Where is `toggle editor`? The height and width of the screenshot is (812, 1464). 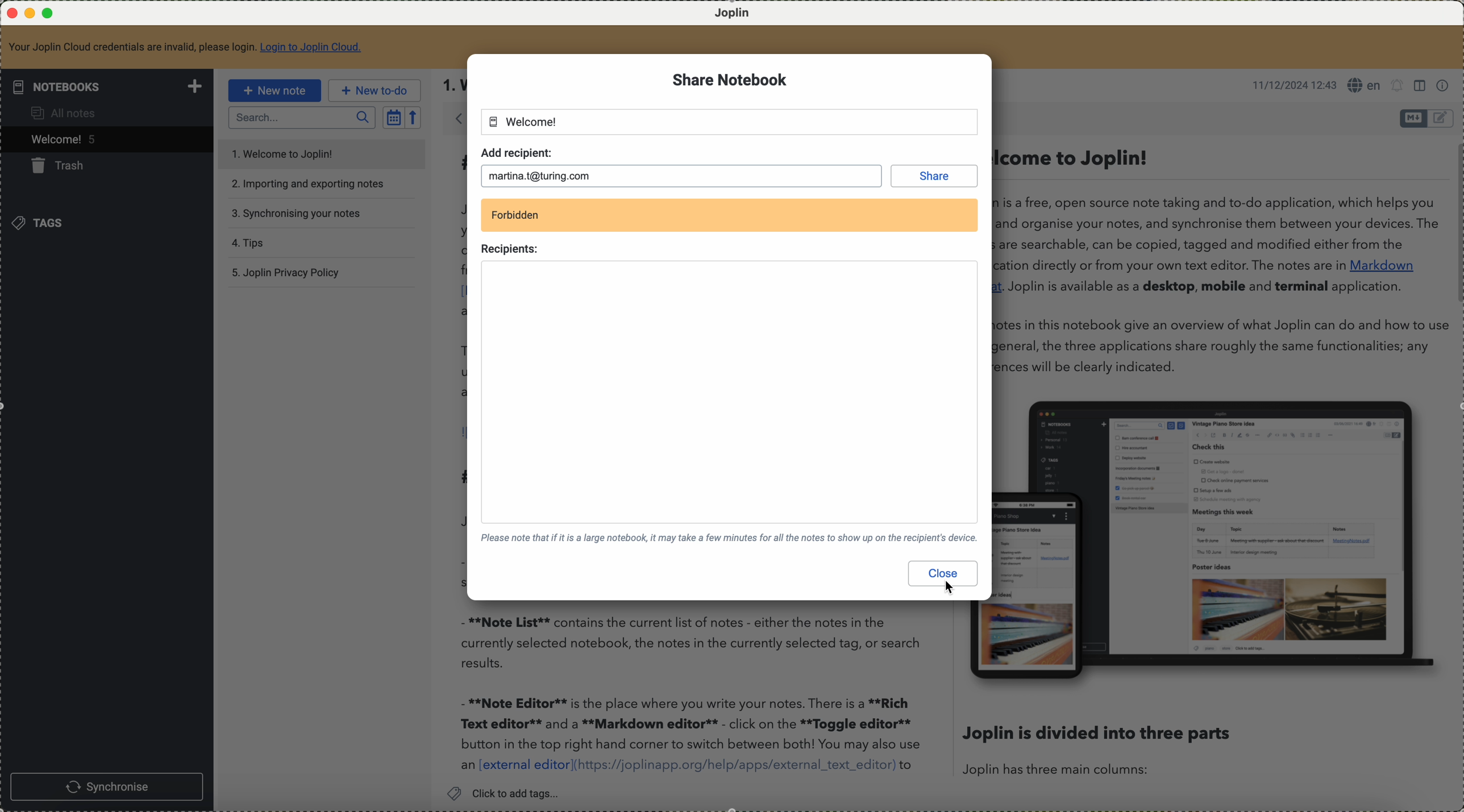 toggle editor is located at coordinates (1413, 118).